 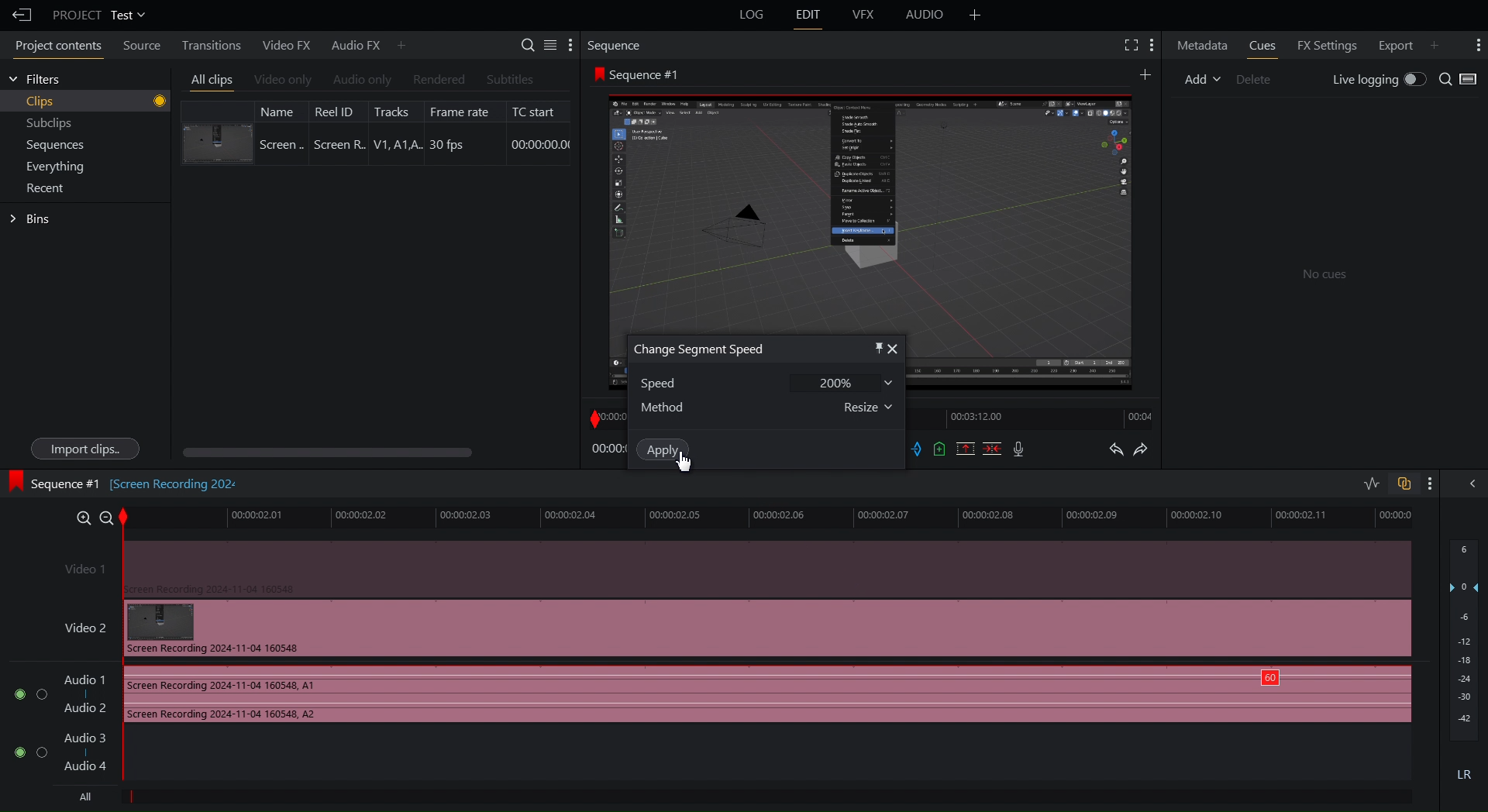 I want to click on Rendered, so click(x=437, y=80).